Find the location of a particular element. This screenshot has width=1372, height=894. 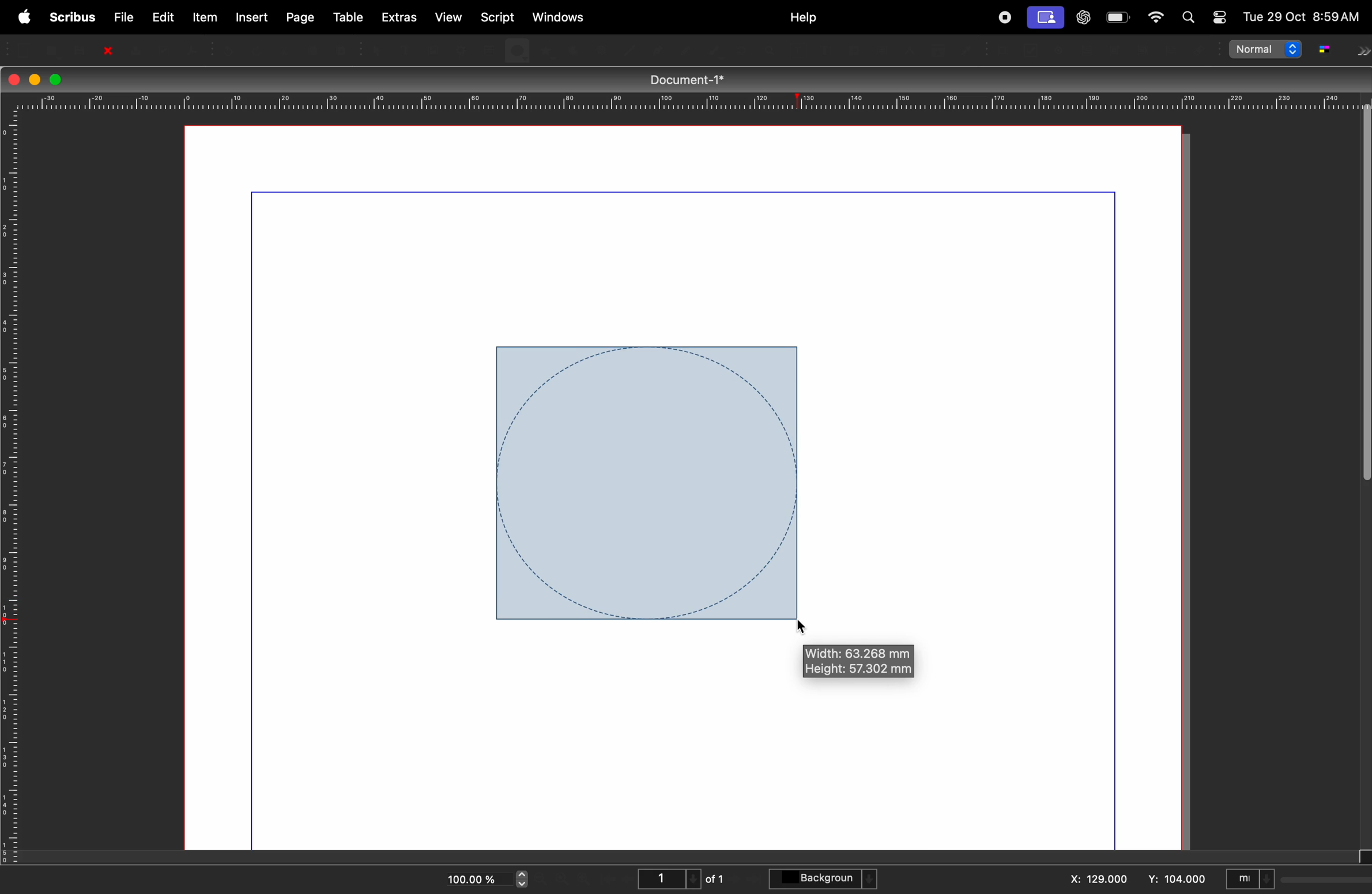

x: 129.000 is located at coordinates (1096, 878).